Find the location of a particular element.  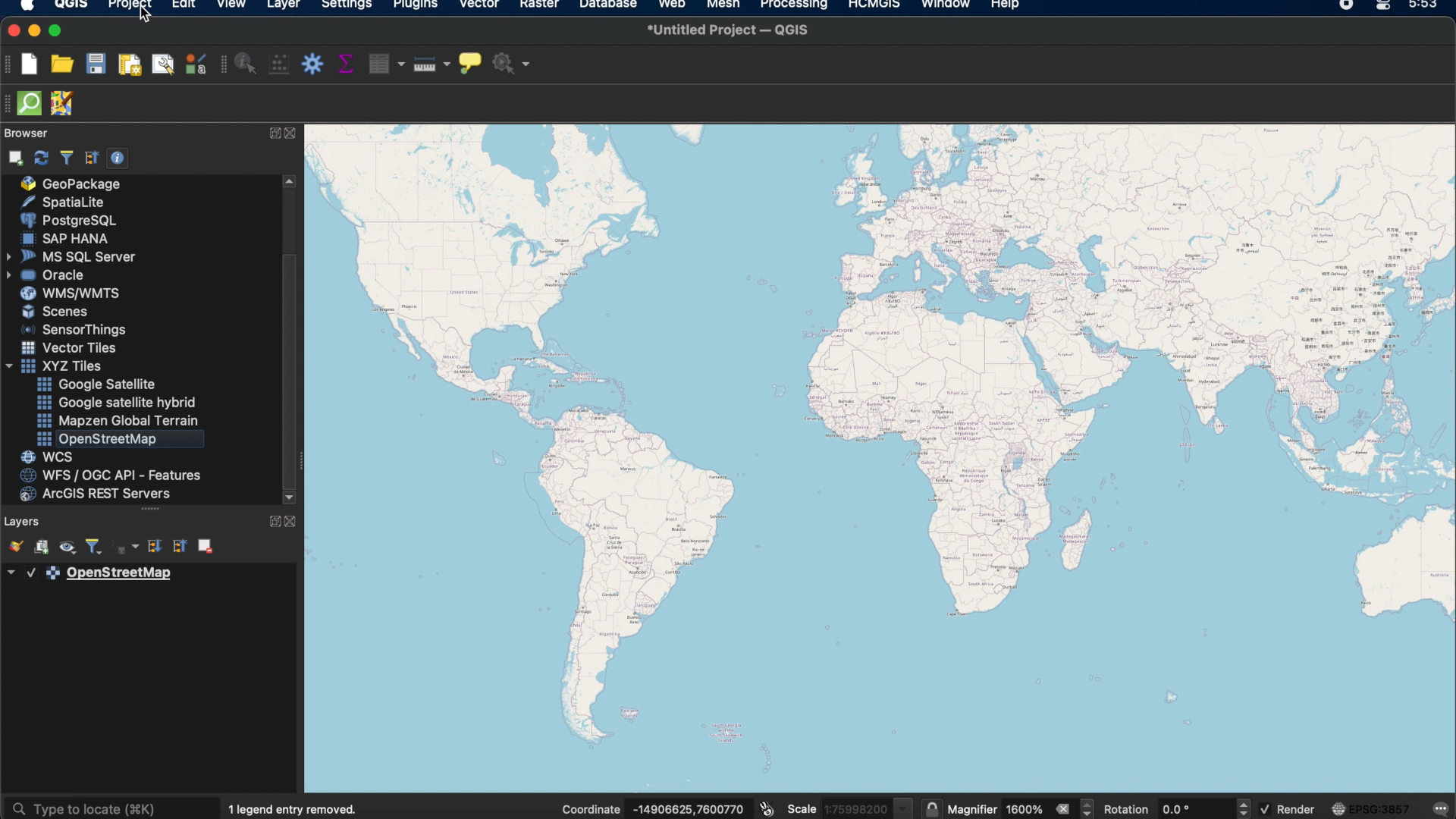

no action selected is located at coordinates (516, 65).